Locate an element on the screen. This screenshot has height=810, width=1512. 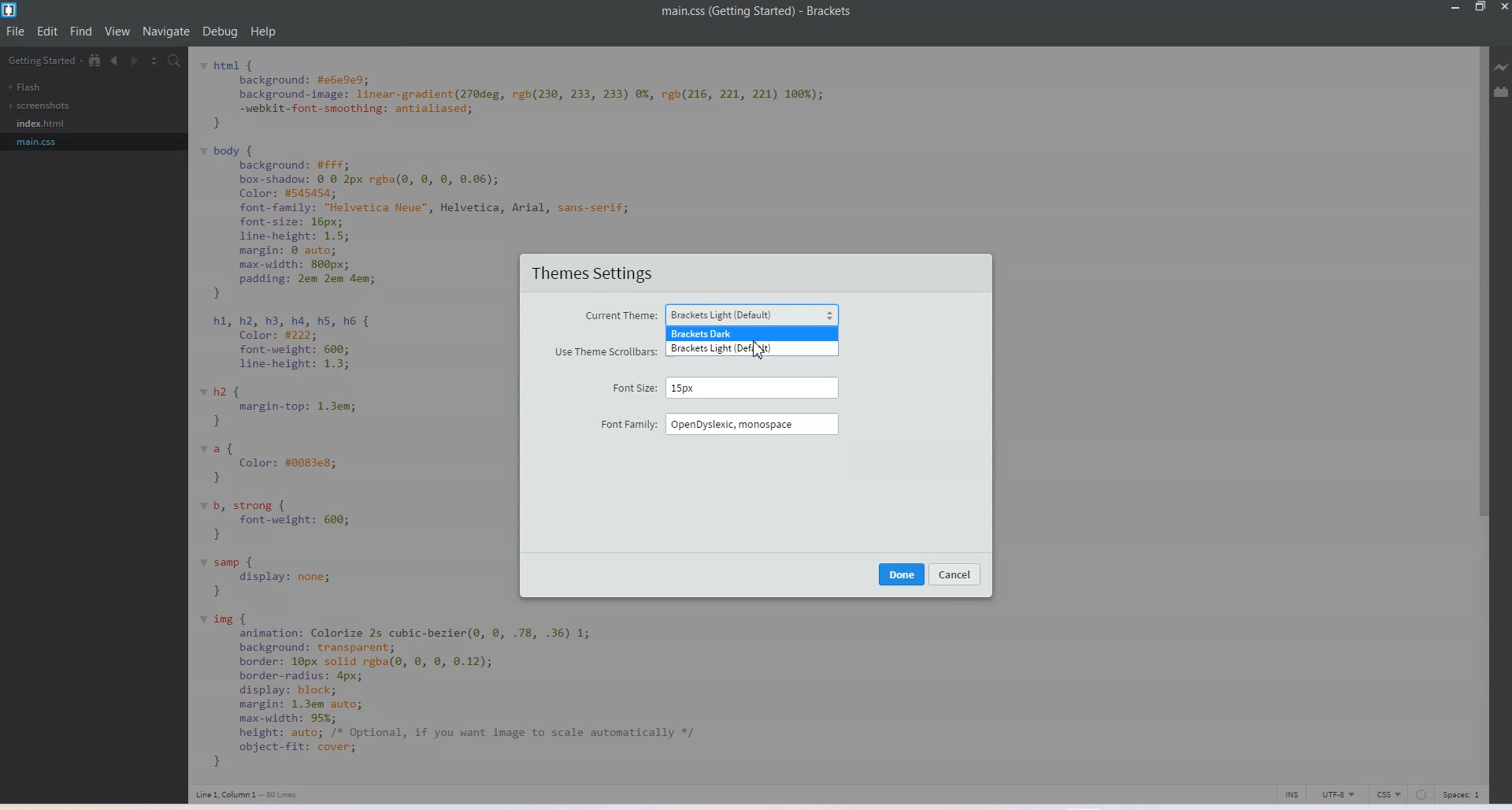
Help is located at coordinates (263, 31).